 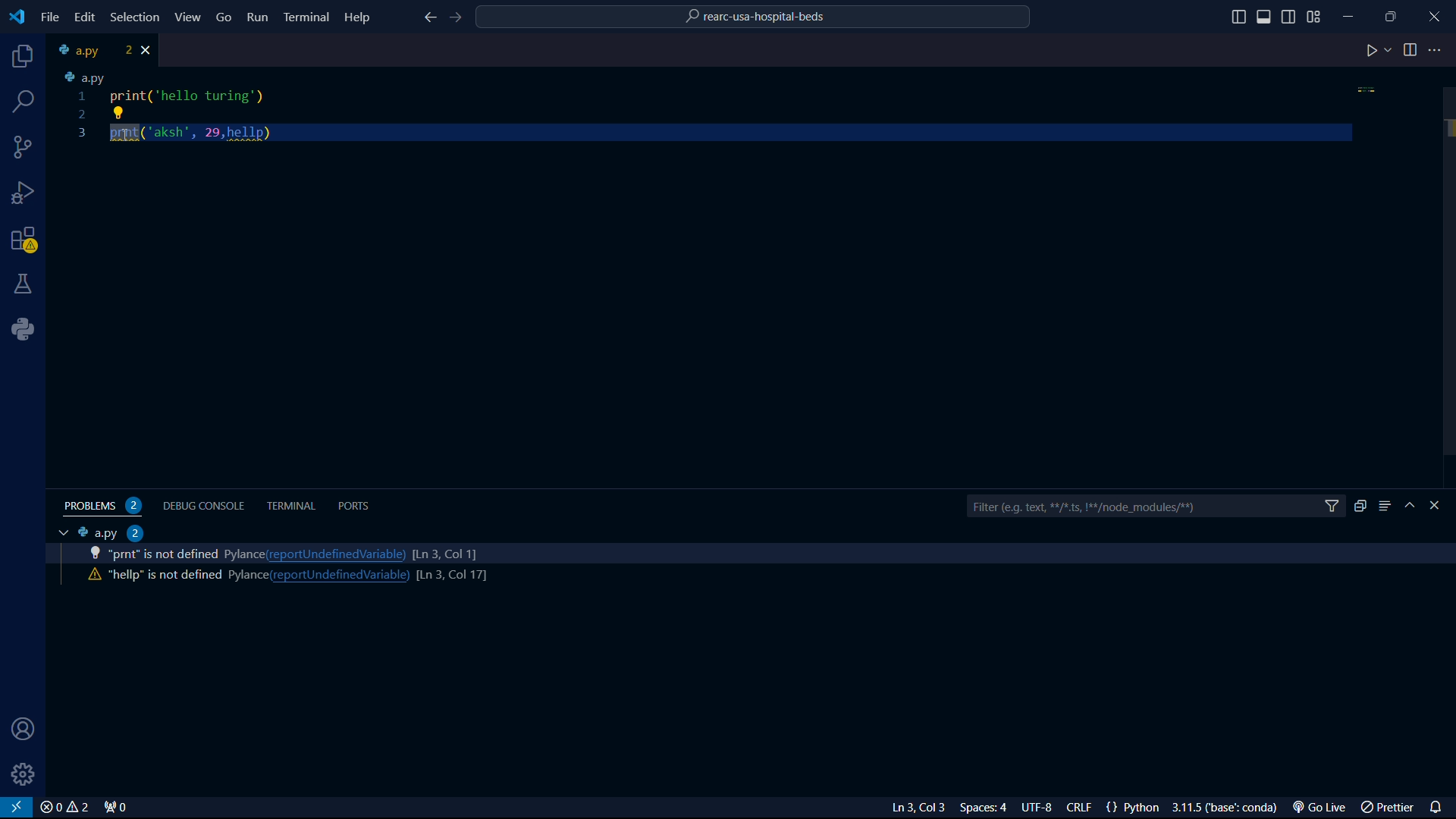 I want to click on user, so click(x=19, y=730).